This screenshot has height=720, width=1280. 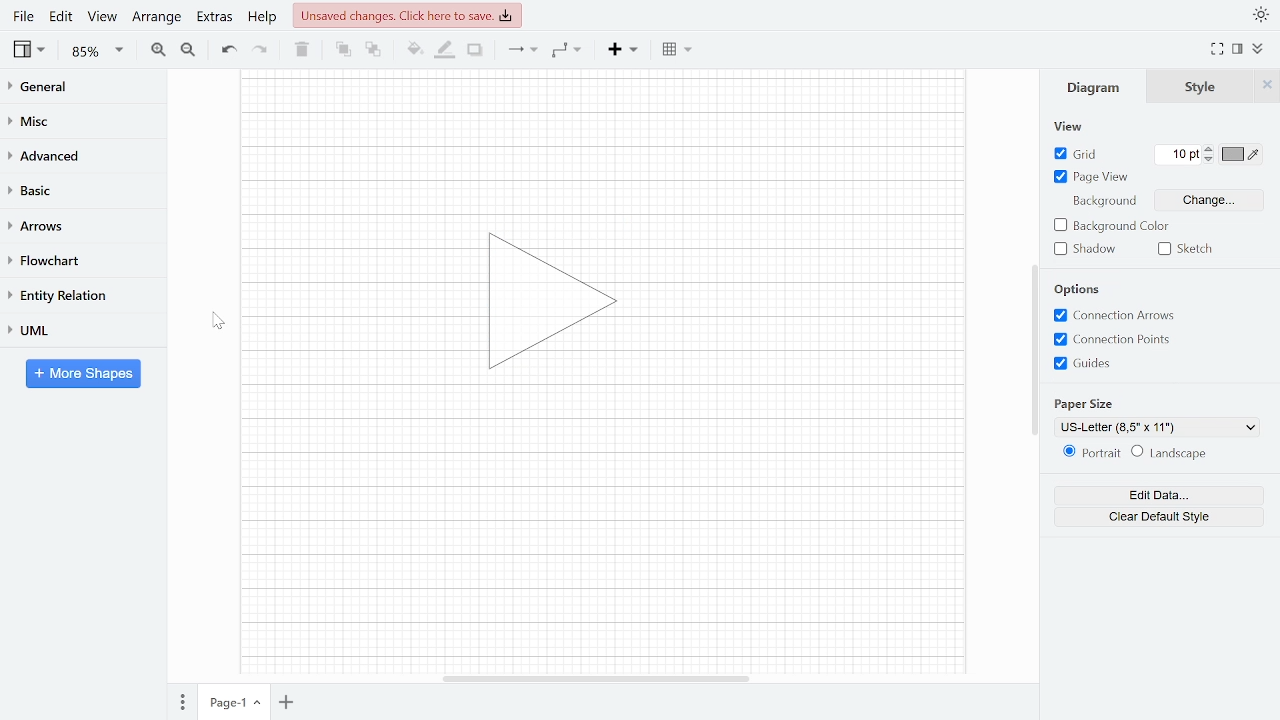 What do you see at coordinates (1087, 179) in the screenshot?
I see `Page View` at bounding box center [1087, 179].